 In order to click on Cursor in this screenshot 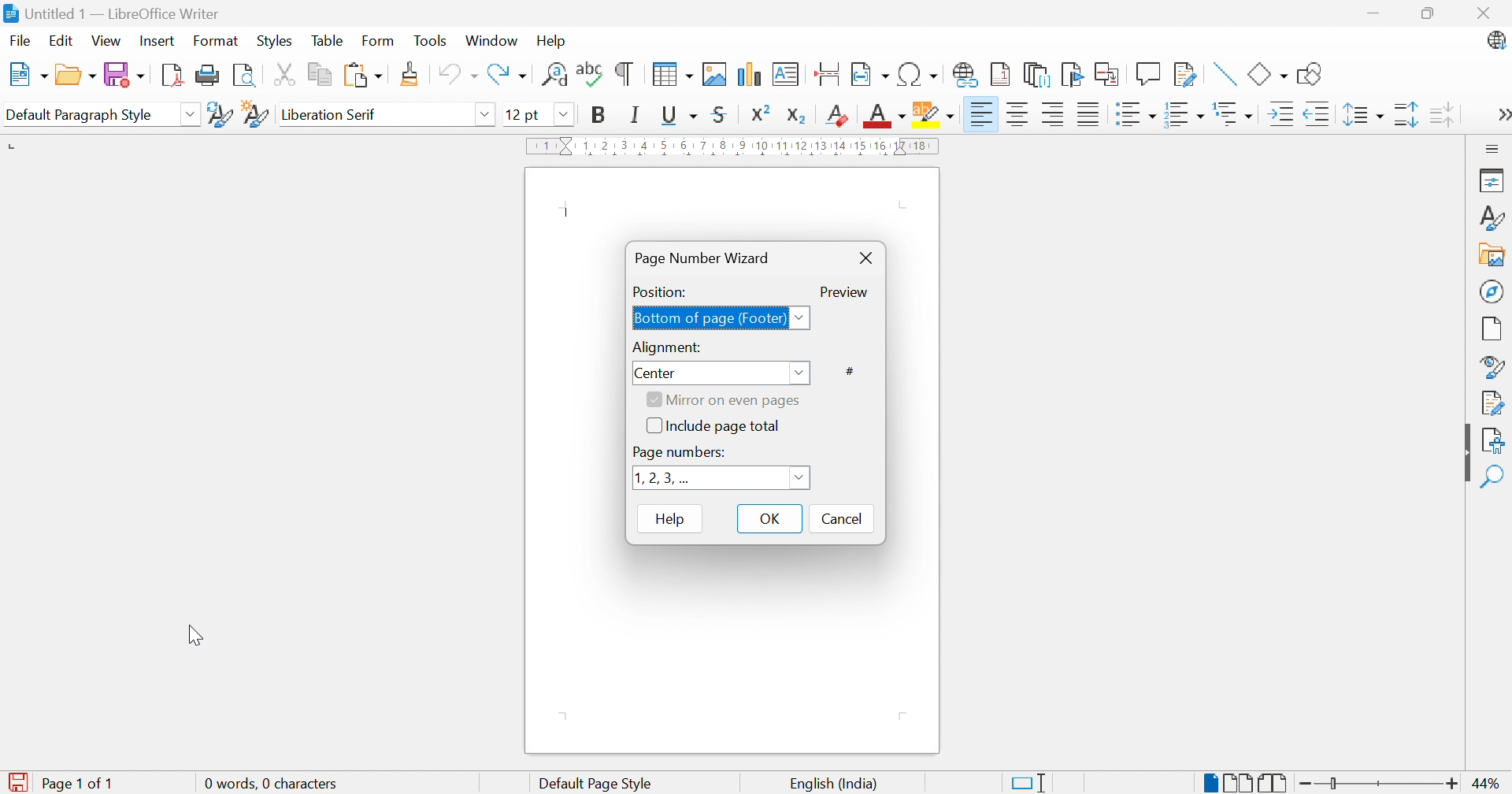, I will do `click(195, 637)`.